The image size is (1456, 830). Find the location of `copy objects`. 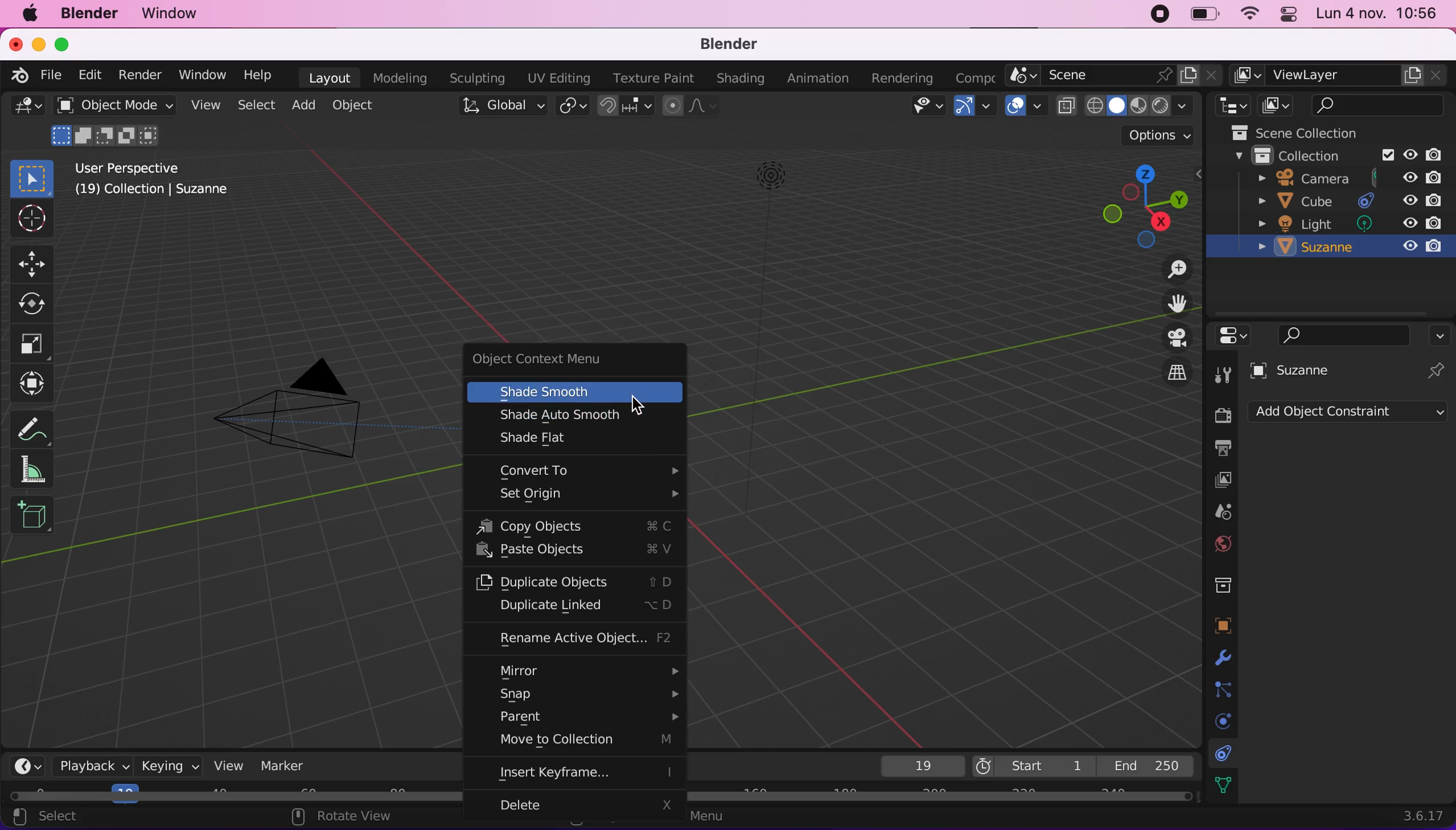

copy objects is located at coordinates (581, 527).